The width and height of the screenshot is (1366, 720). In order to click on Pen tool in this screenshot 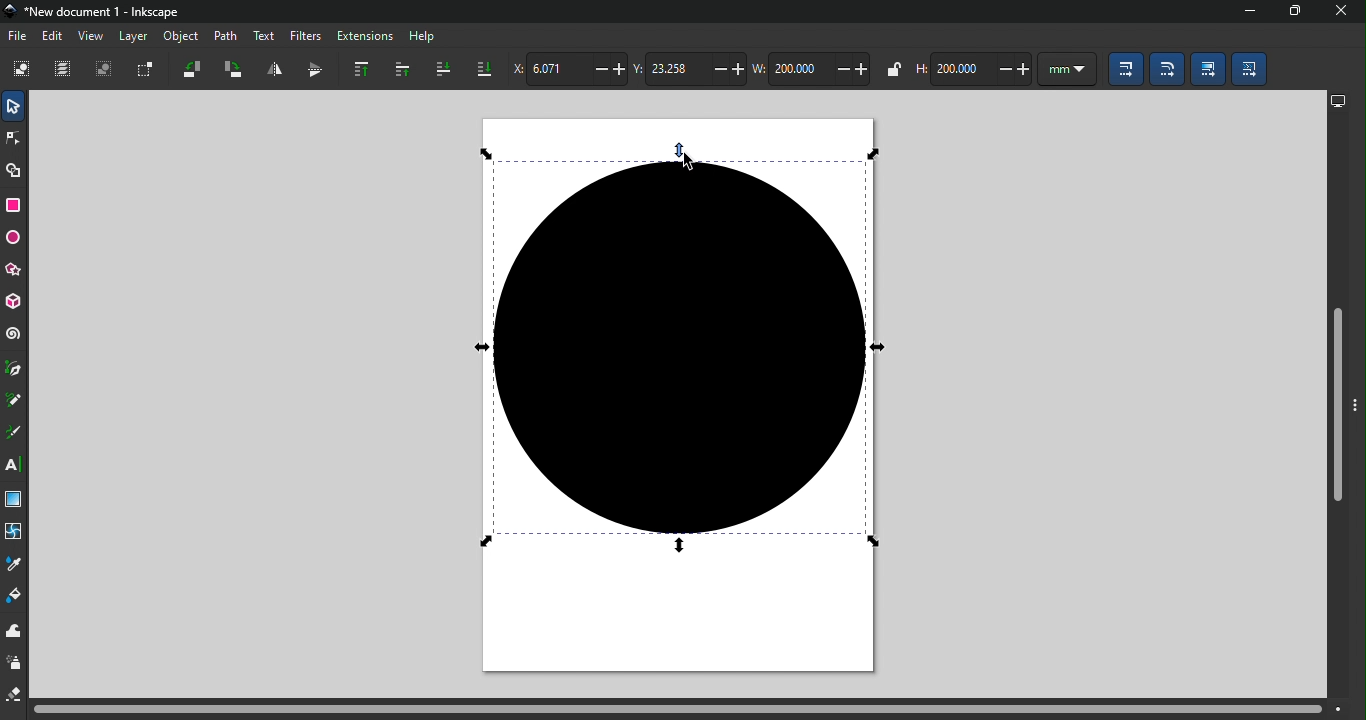, I will do `click(18, 368)`.